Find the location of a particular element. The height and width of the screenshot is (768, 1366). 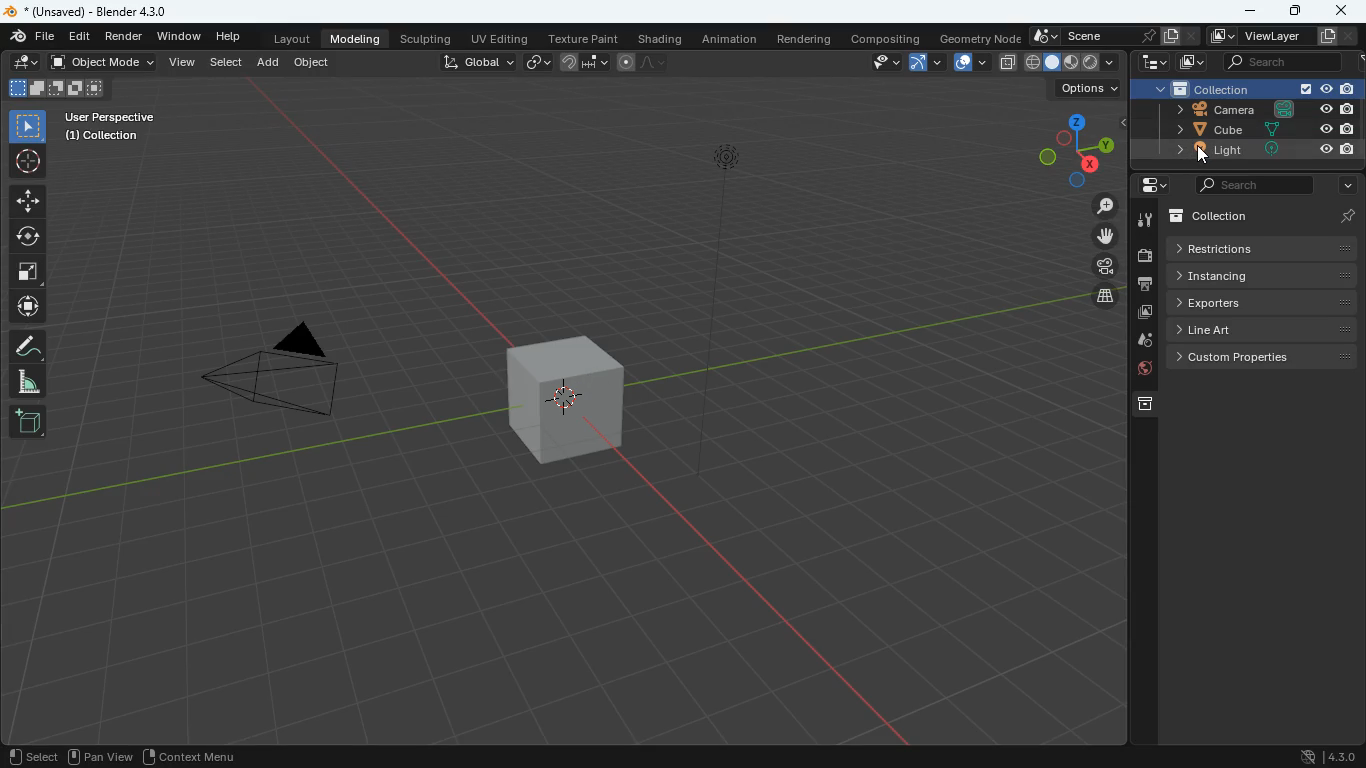

scene is located at coordinates (1106, 37).